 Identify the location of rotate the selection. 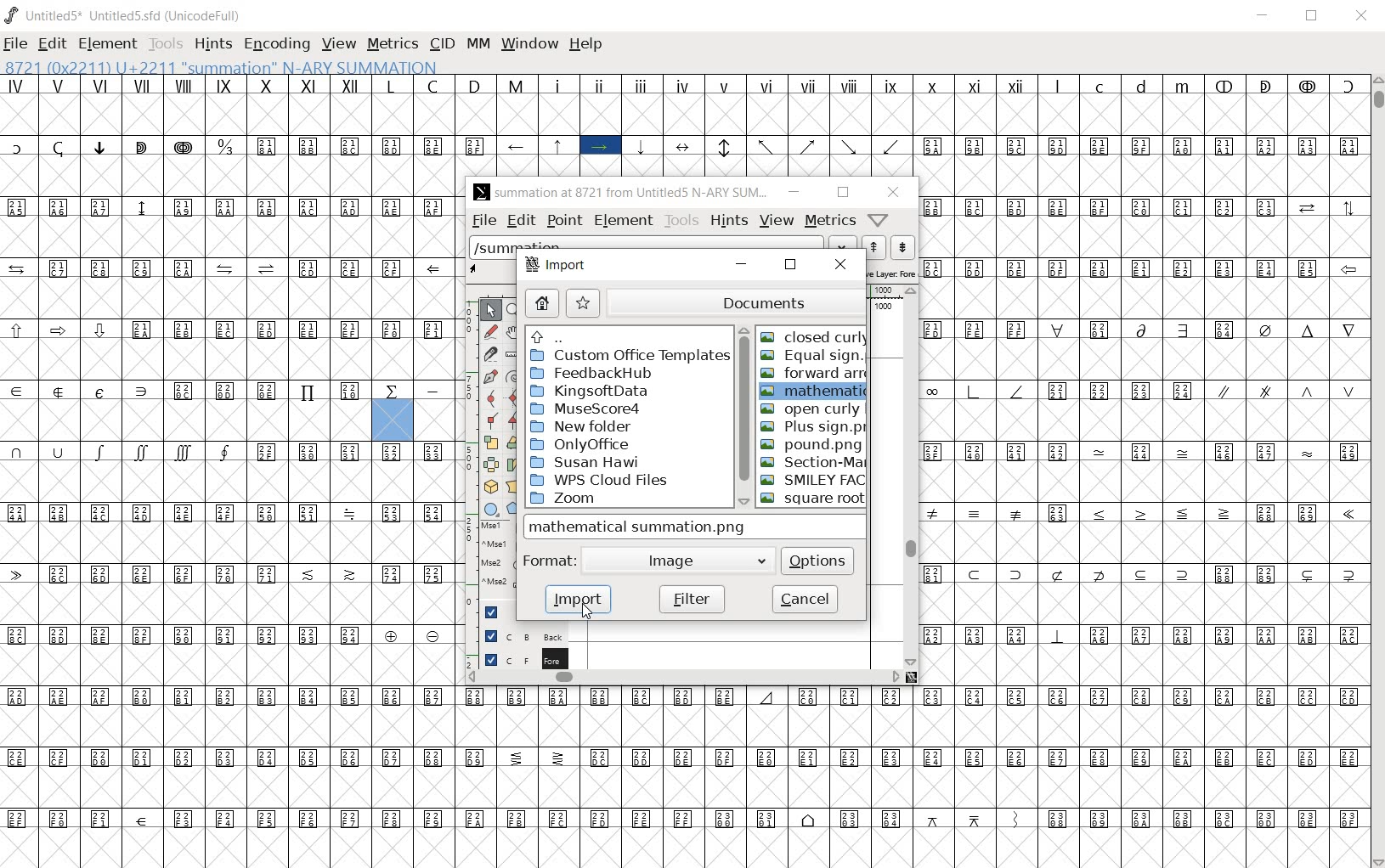
(513, 442).